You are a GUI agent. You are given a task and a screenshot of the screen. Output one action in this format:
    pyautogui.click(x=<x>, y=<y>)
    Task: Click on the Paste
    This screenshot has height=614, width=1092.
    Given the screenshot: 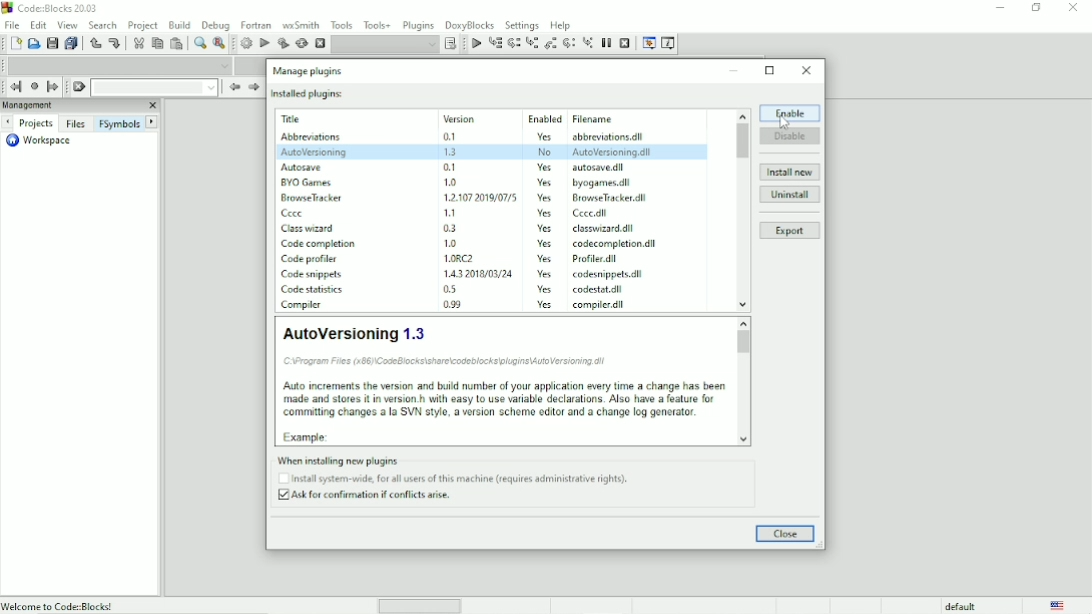 What is the action you would take?
    pyautogui.click(x=177, y=43)
    